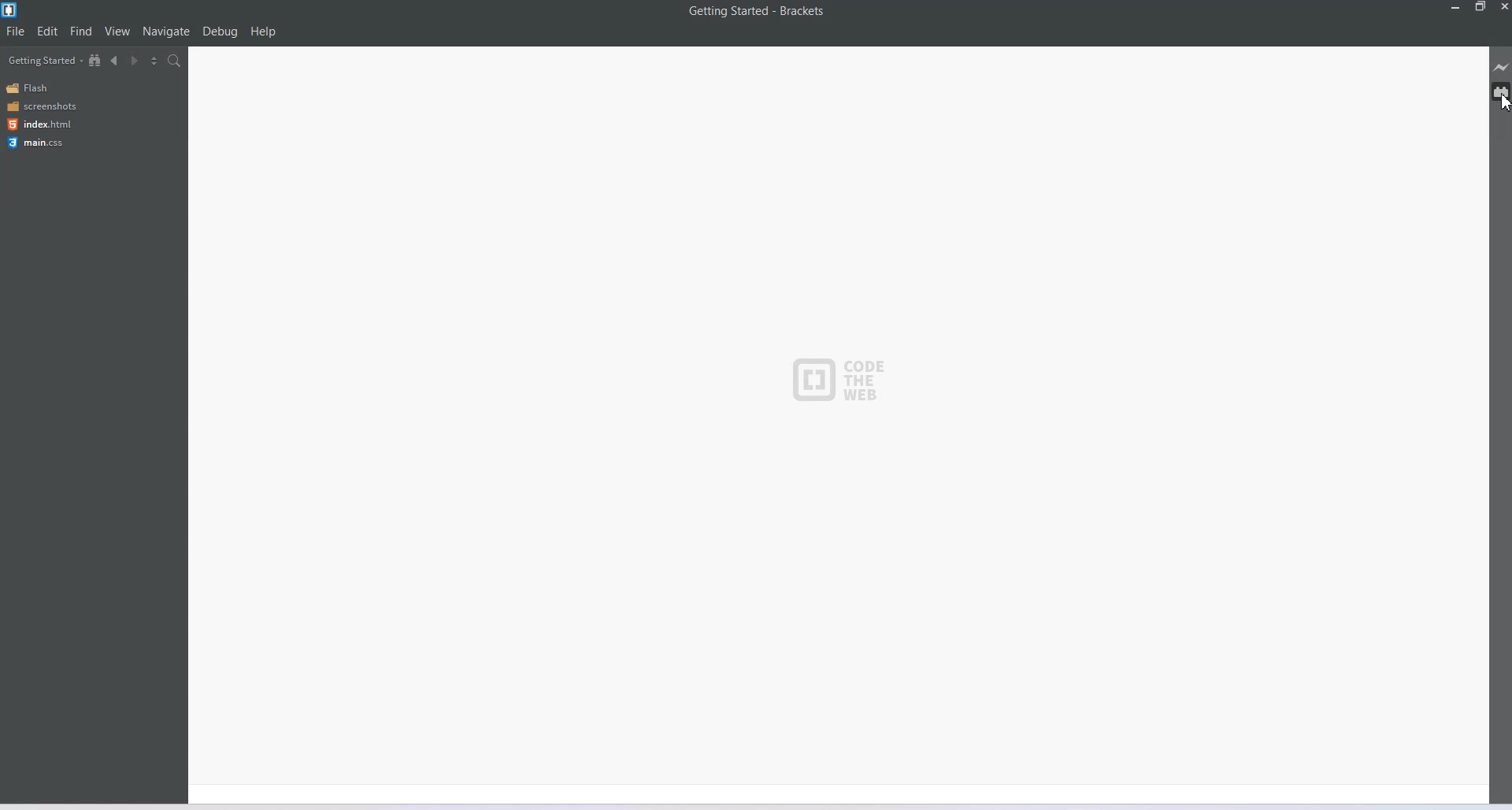 The image size is (1512, 810). Describe the element at coordinates (39, 143) in the screenshot. I see `main.css` at that location.